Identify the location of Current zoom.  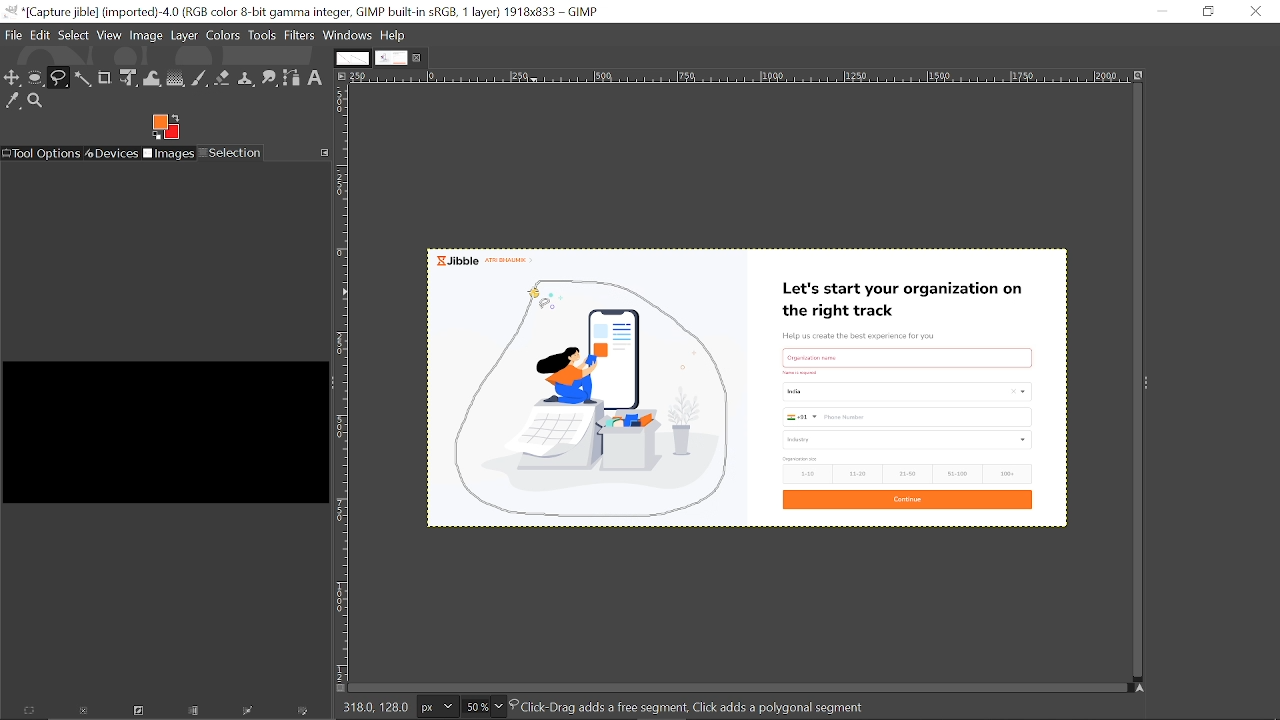
(474, 707).